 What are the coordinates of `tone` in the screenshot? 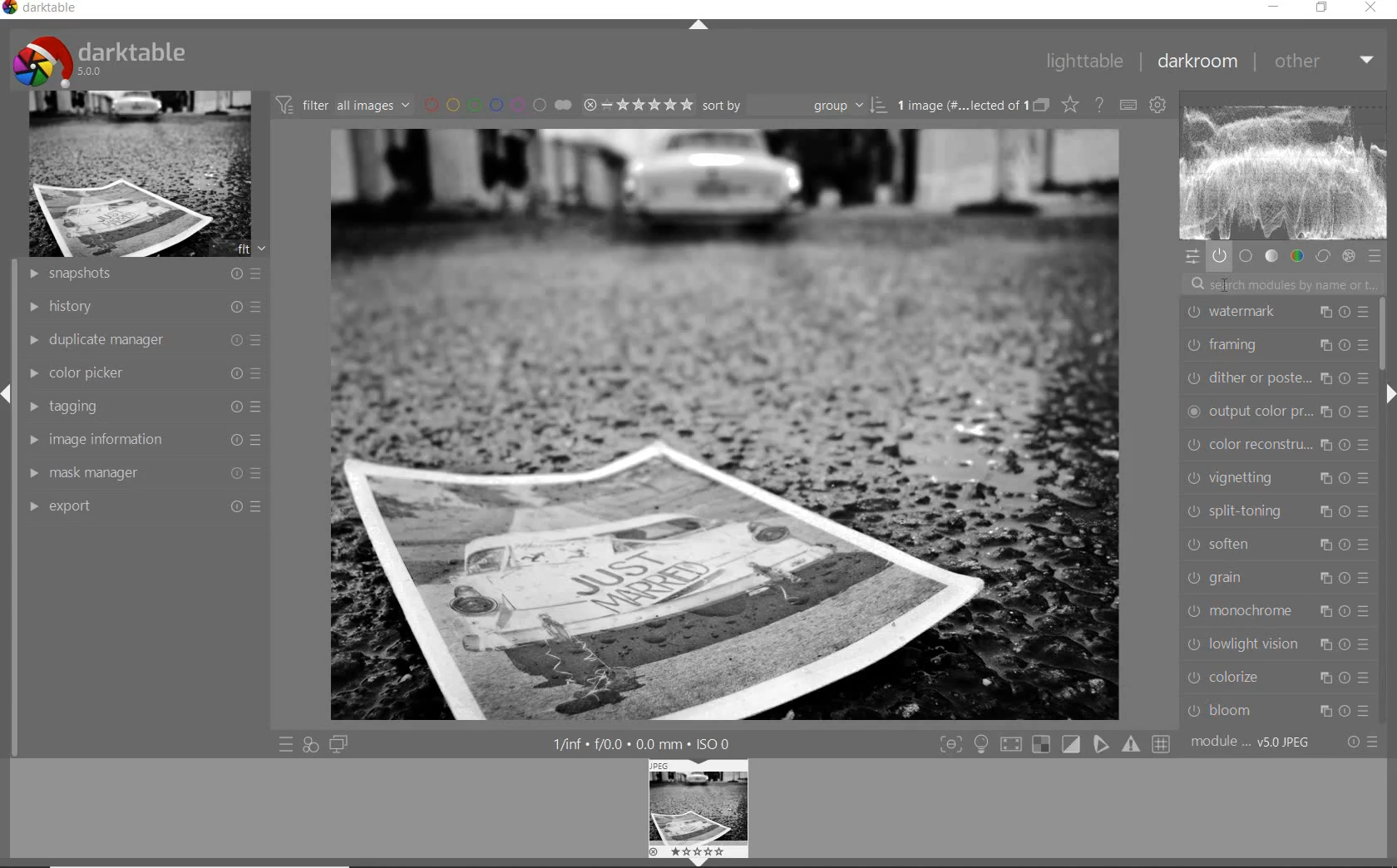 It's located at (1271, 256).